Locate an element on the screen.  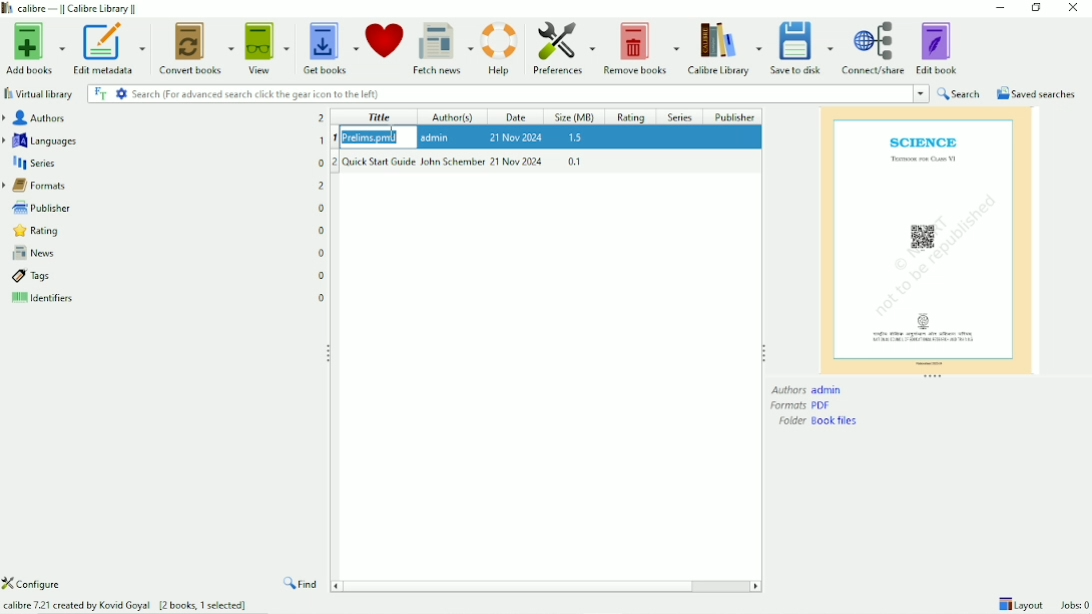
Formats is located at coordinates (801, 406).